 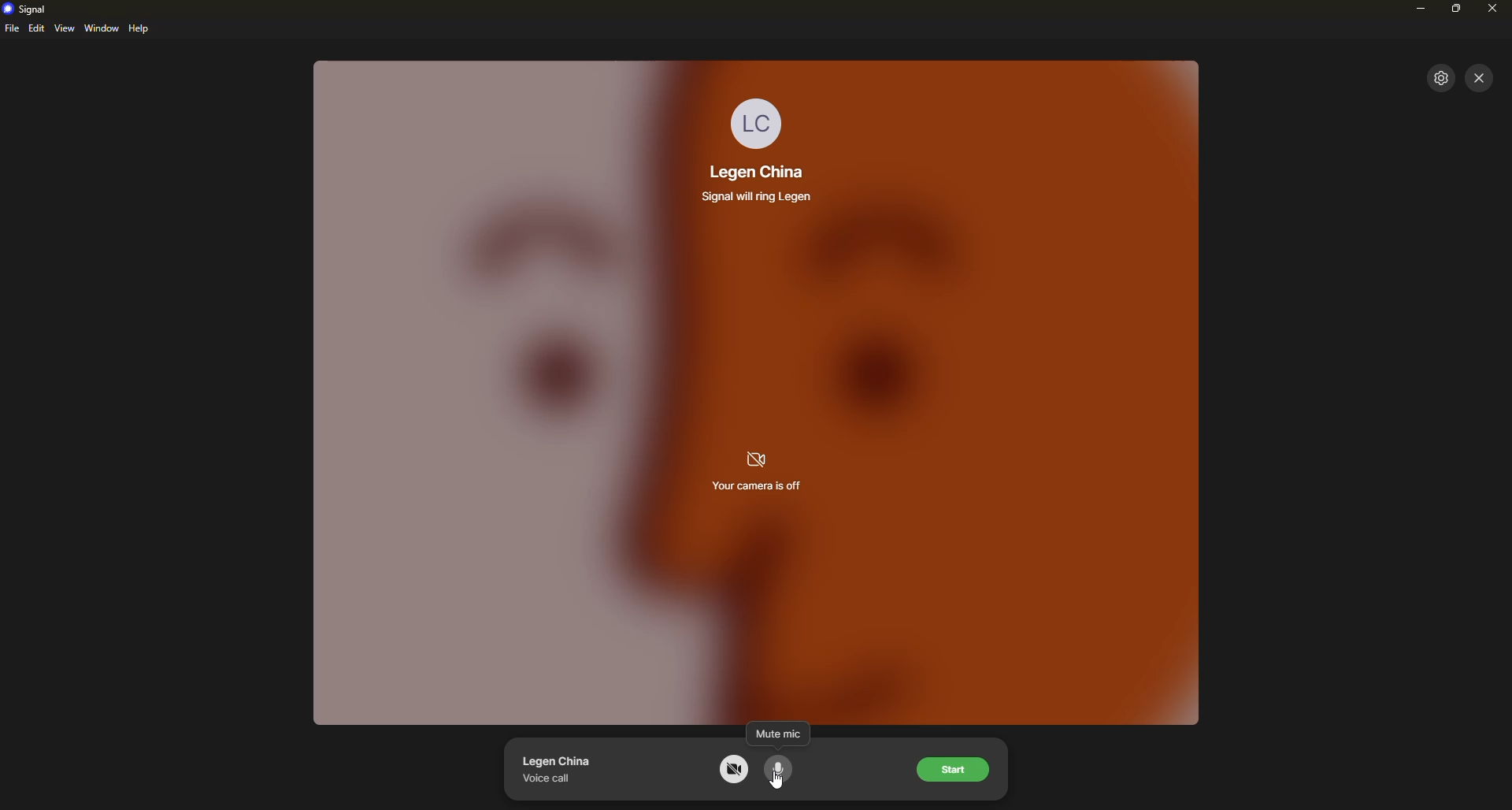 I want to click on file, so click(x=12, y=29).